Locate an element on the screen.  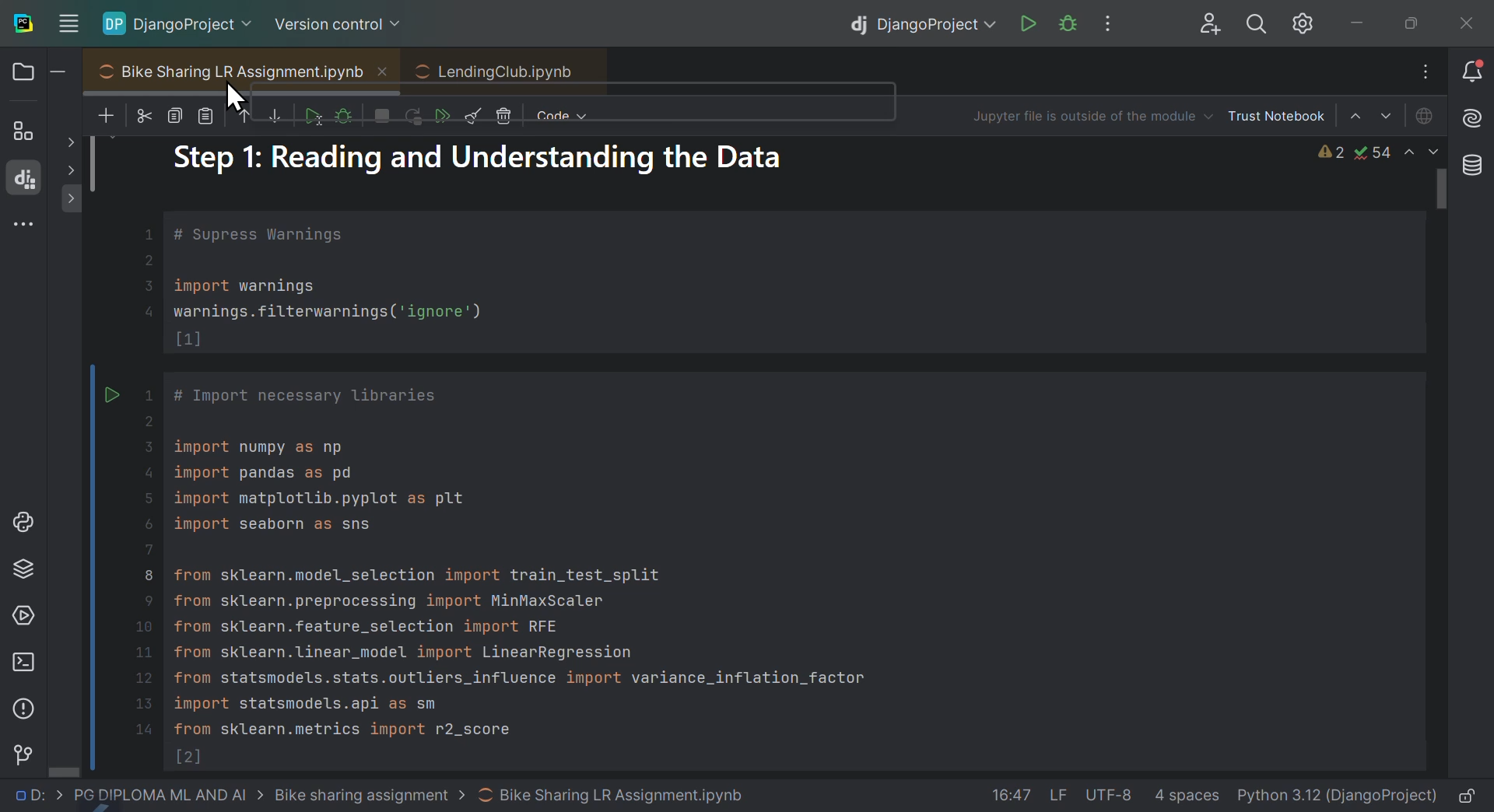
Python packages is located at coordinates (22, 573).